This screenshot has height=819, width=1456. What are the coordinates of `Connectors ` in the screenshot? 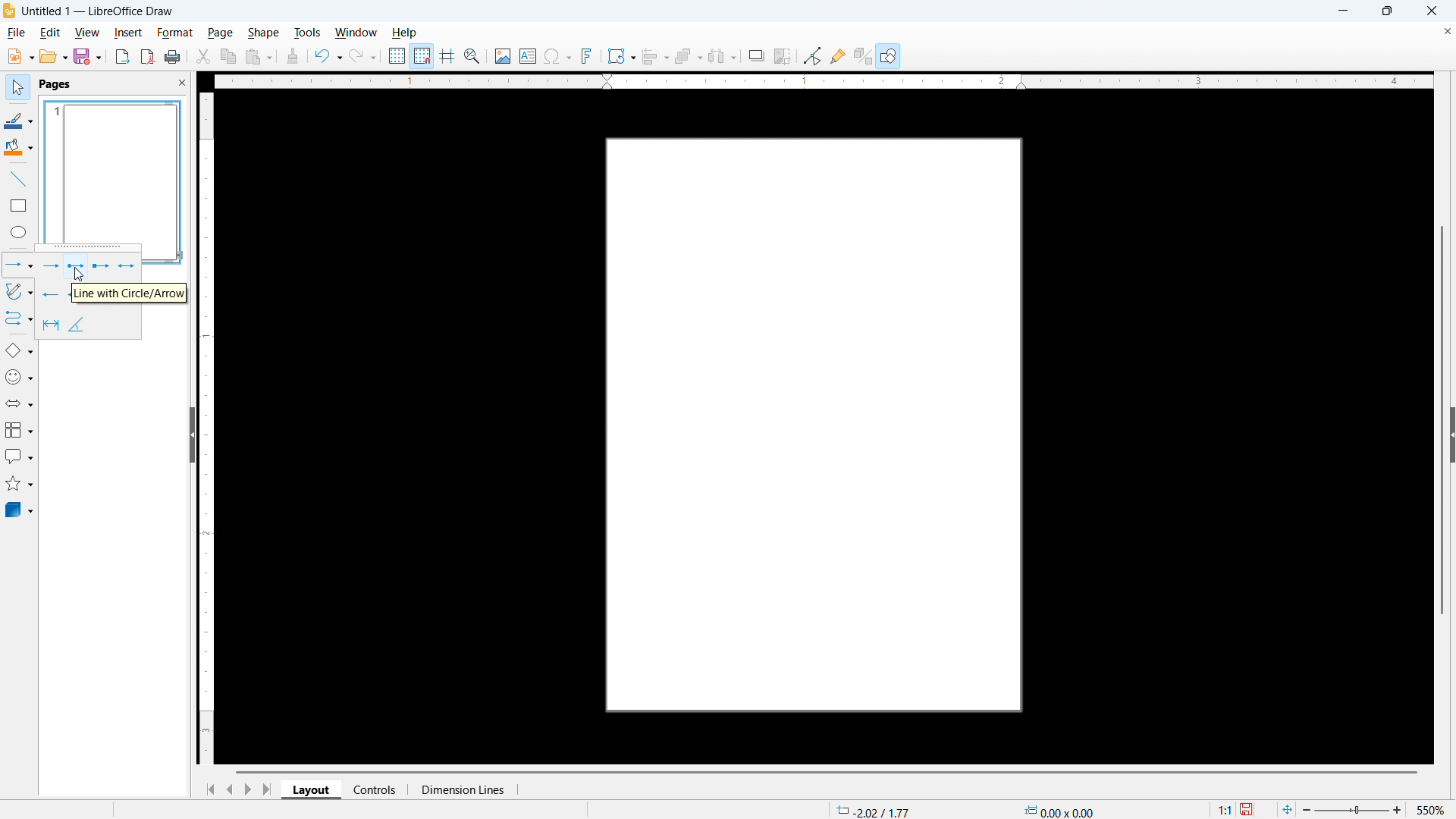 It's located at (20, 318).